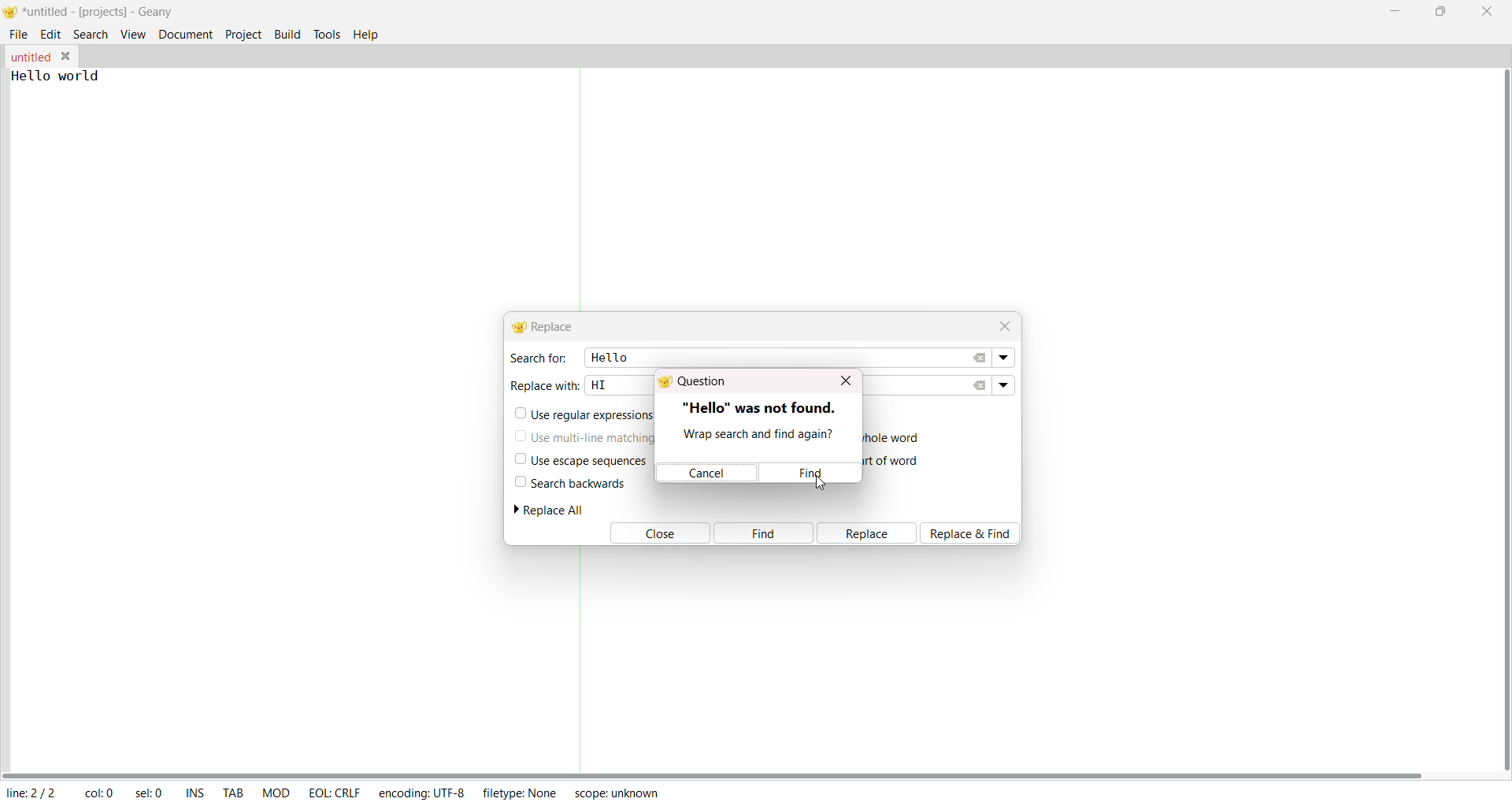 The image size is (1512, 802). What do you see at coordinates (1006, 358) in the screenshot?
I see `search dropdown` at bounding box center [1006, 358].